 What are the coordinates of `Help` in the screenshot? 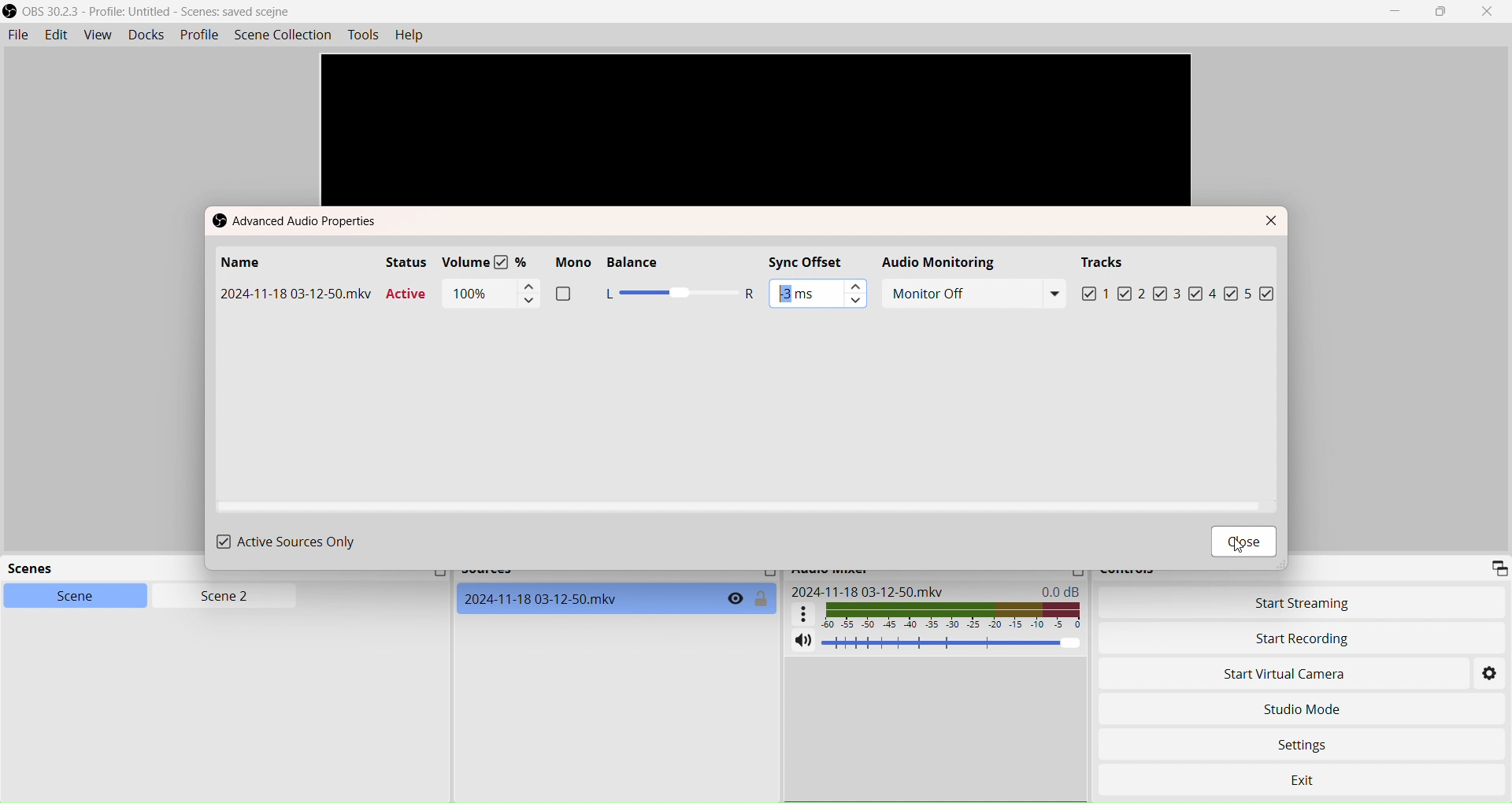 It's located at (414, 36).